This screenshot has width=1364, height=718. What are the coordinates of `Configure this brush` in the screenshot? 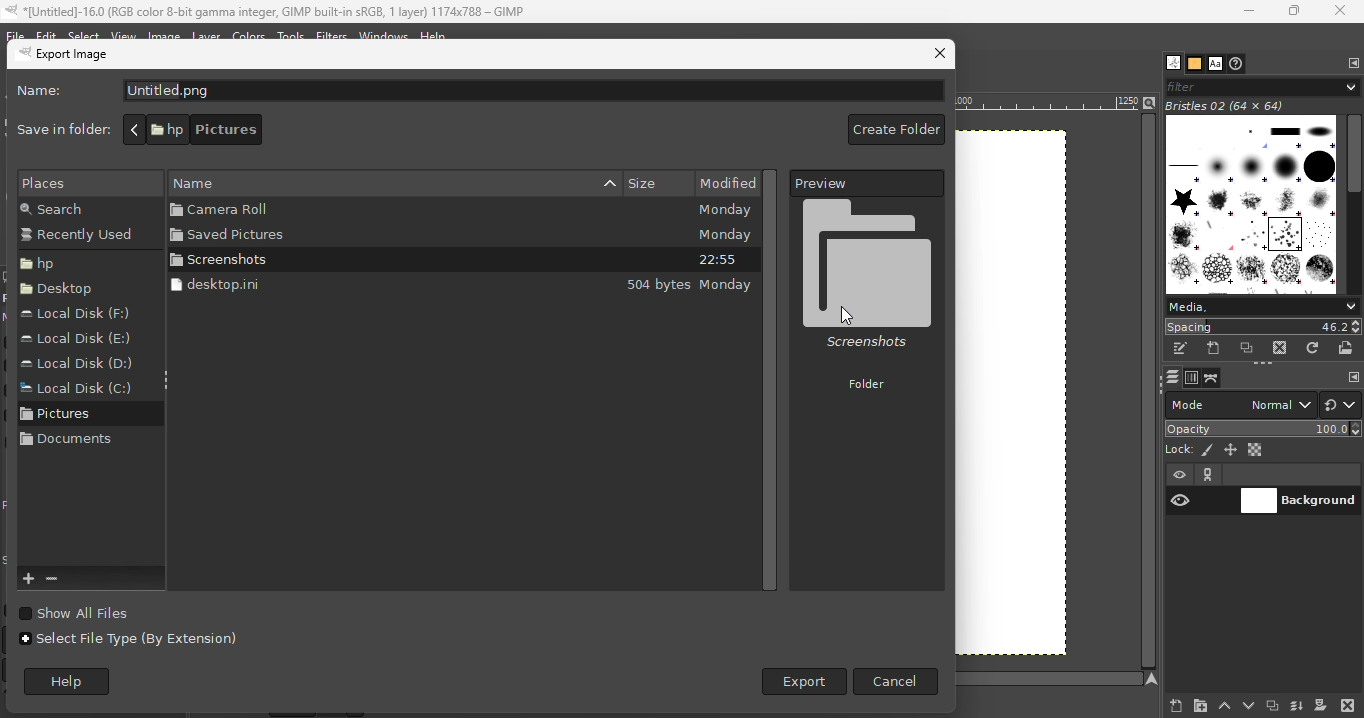 It's located at (1354, 377).